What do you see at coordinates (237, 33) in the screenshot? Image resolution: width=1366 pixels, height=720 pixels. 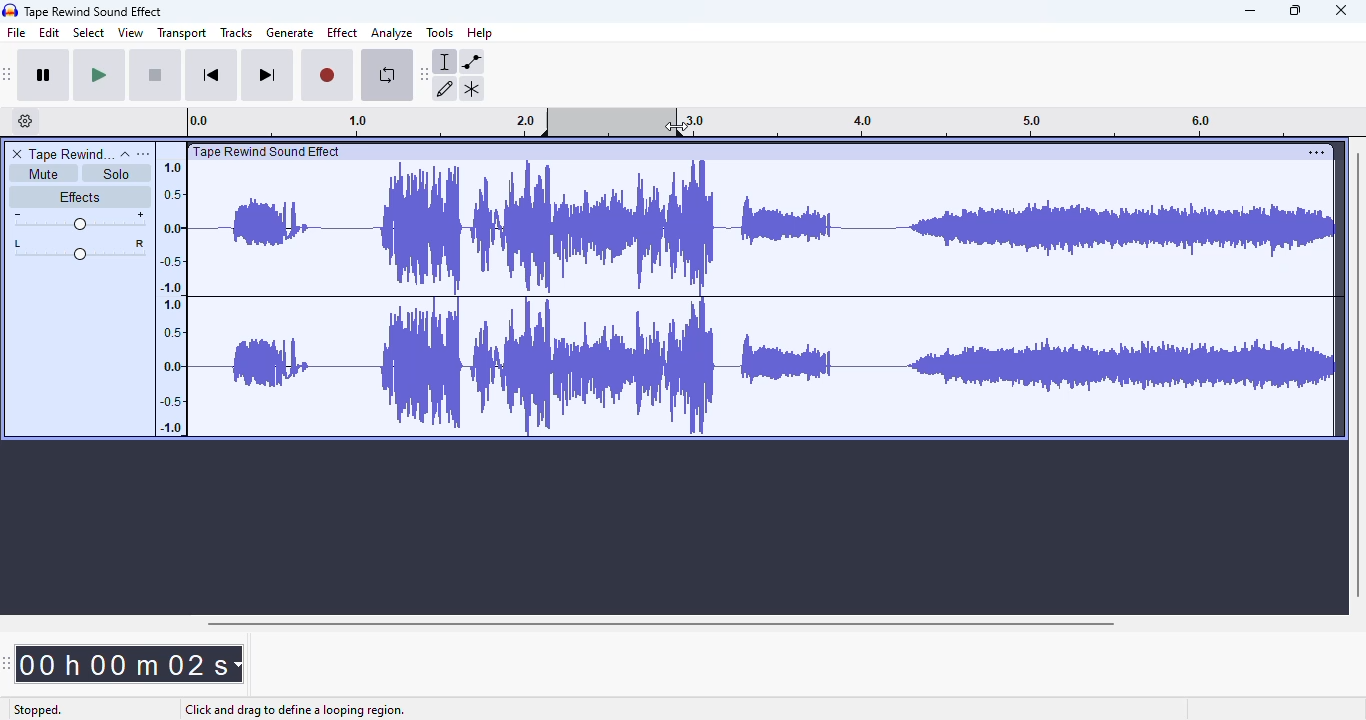 I see `tracks` at bounding box center [237, 33].